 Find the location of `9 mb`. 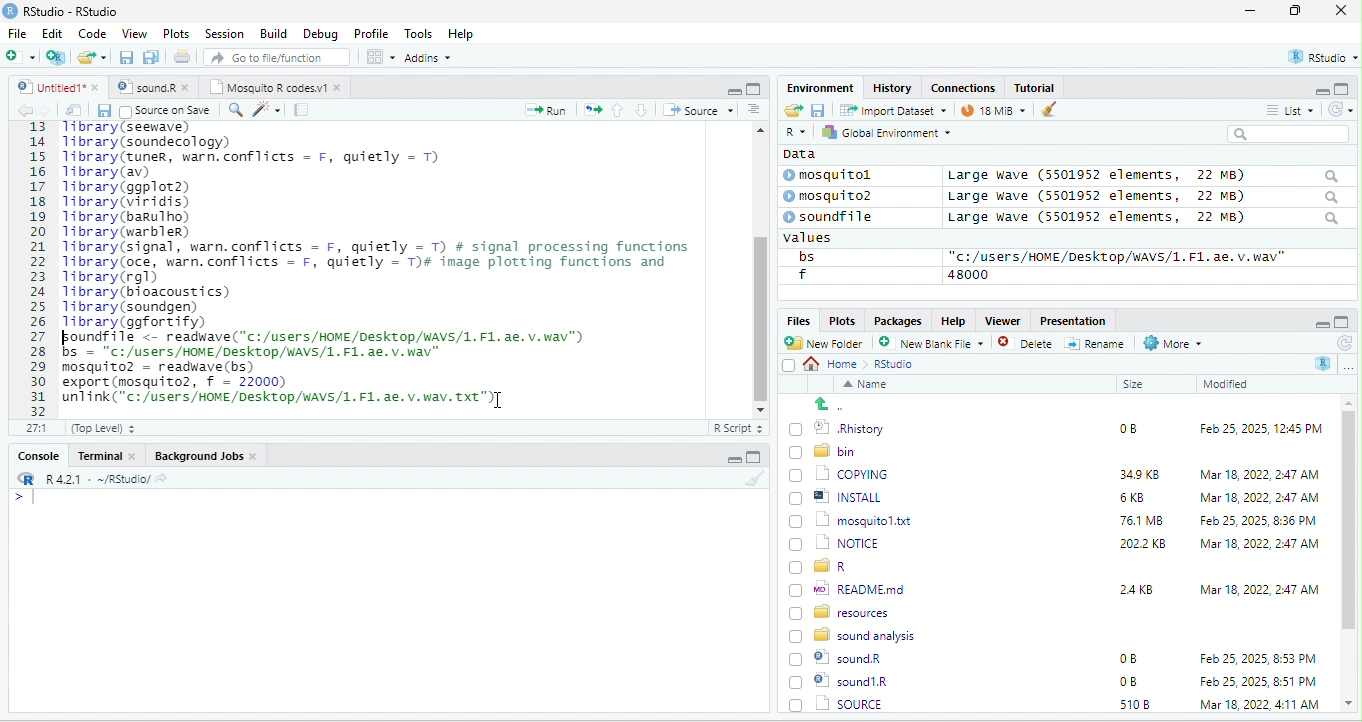

9 mb is located at coordinates (993, 112).